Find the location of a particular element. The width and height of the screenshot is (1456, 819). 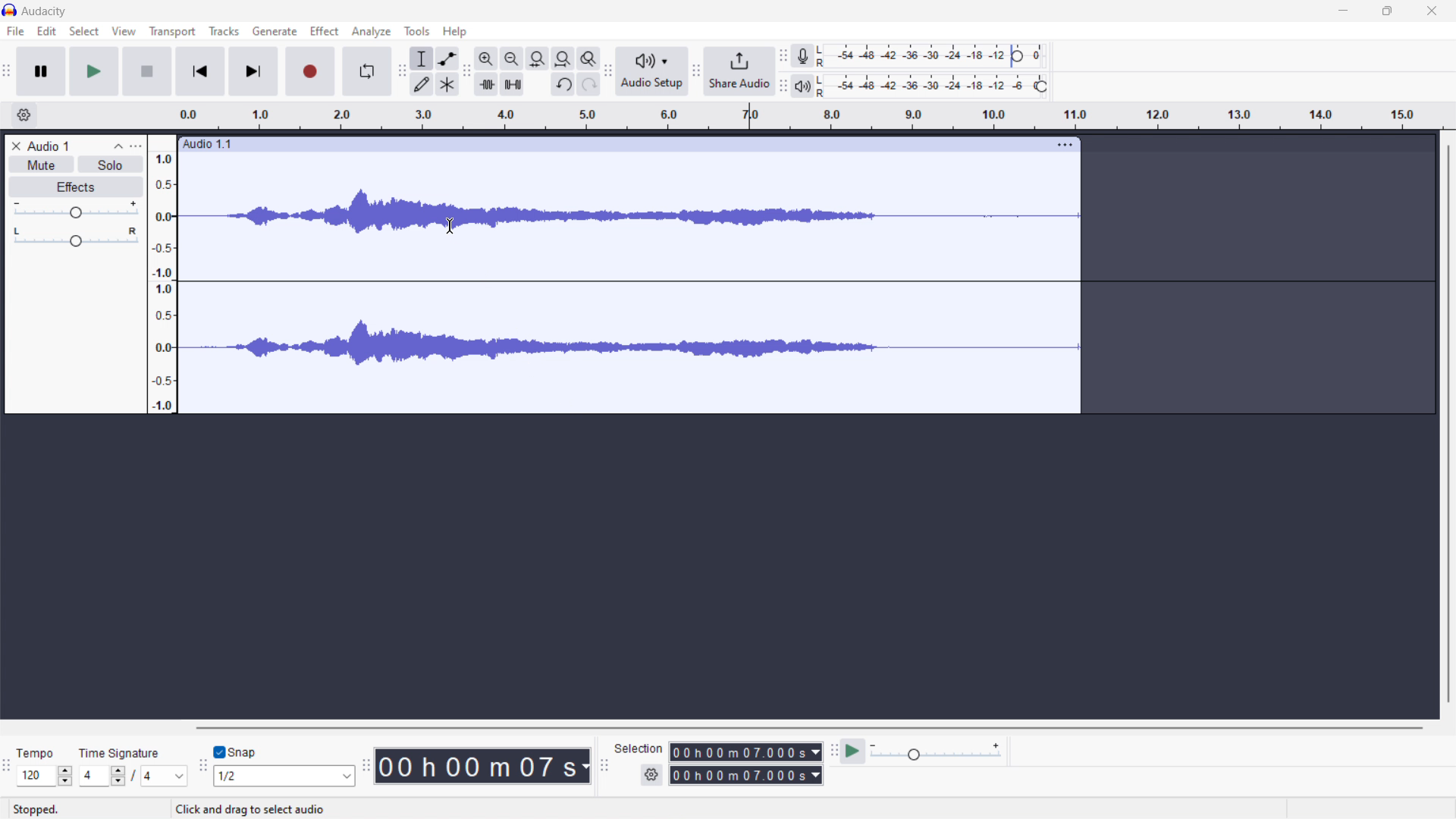

edit toolbar is located at coordinates (466, 72).